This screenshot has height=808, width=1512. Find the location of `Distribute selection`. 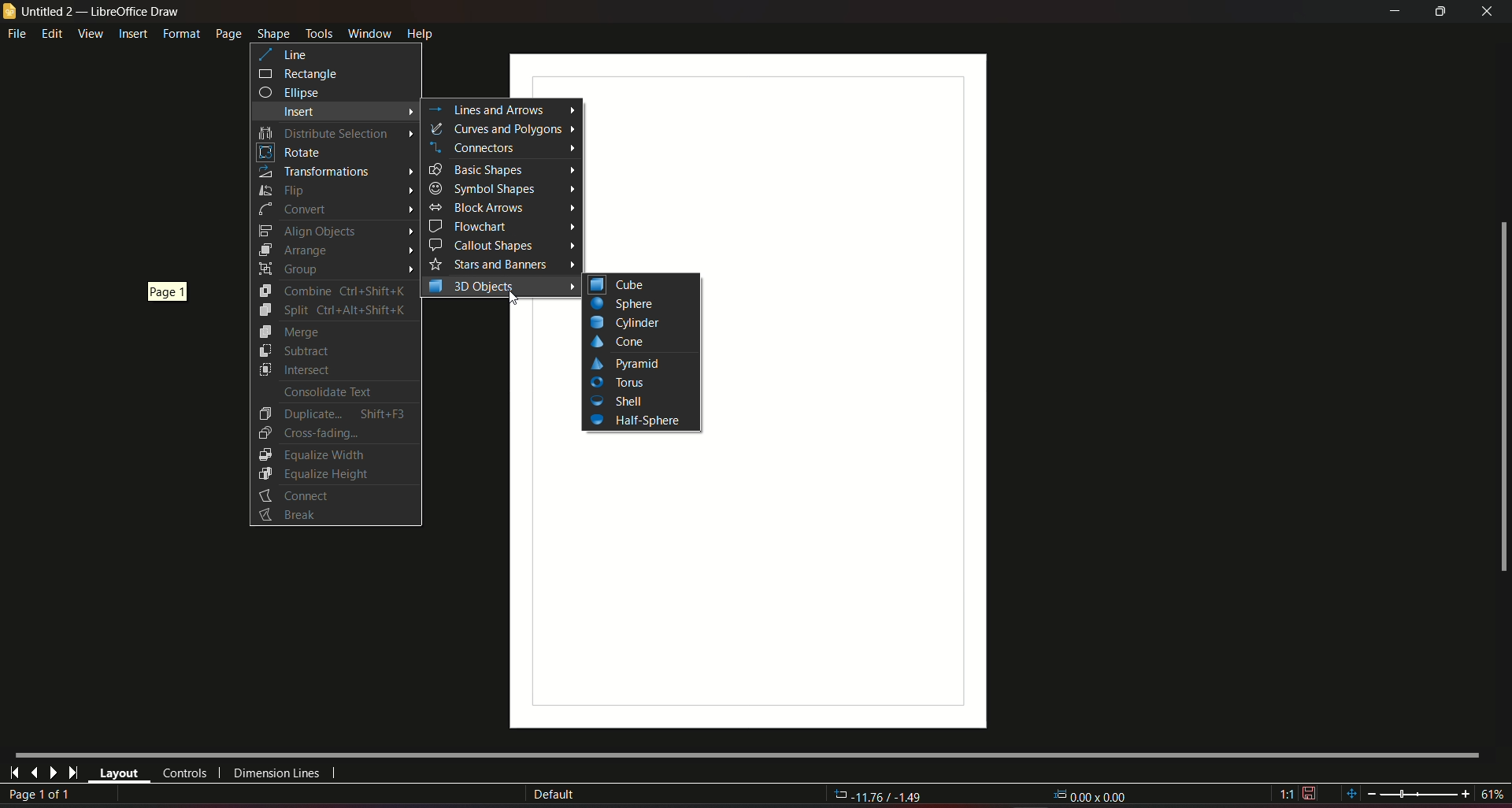

Distribute selection is located at coordinates (325, 133).